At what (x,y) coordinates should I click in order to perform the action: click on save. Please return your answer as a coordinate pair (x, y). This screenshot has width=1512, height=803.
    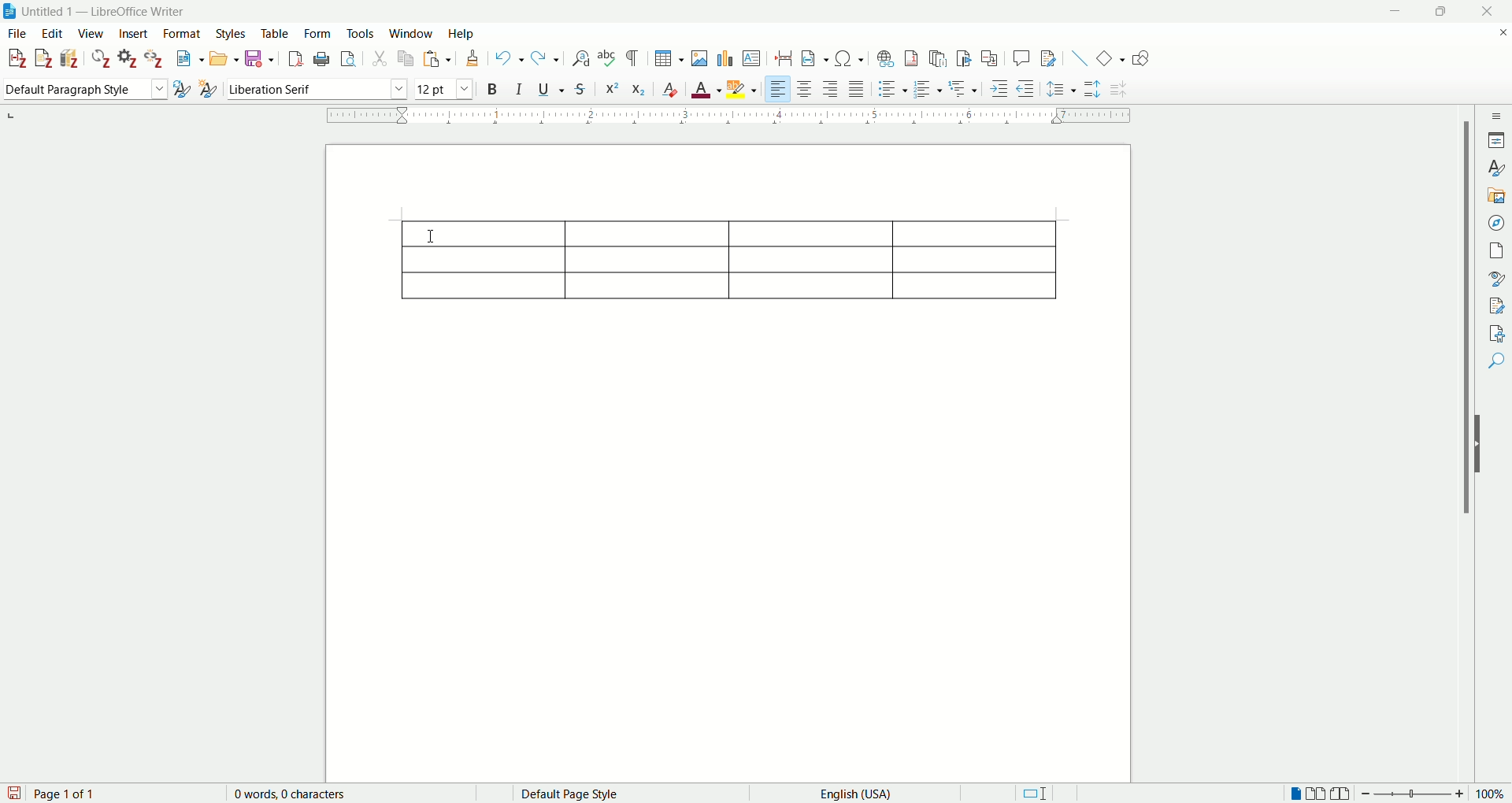
    Looking at the image, I should click on (13, 793).